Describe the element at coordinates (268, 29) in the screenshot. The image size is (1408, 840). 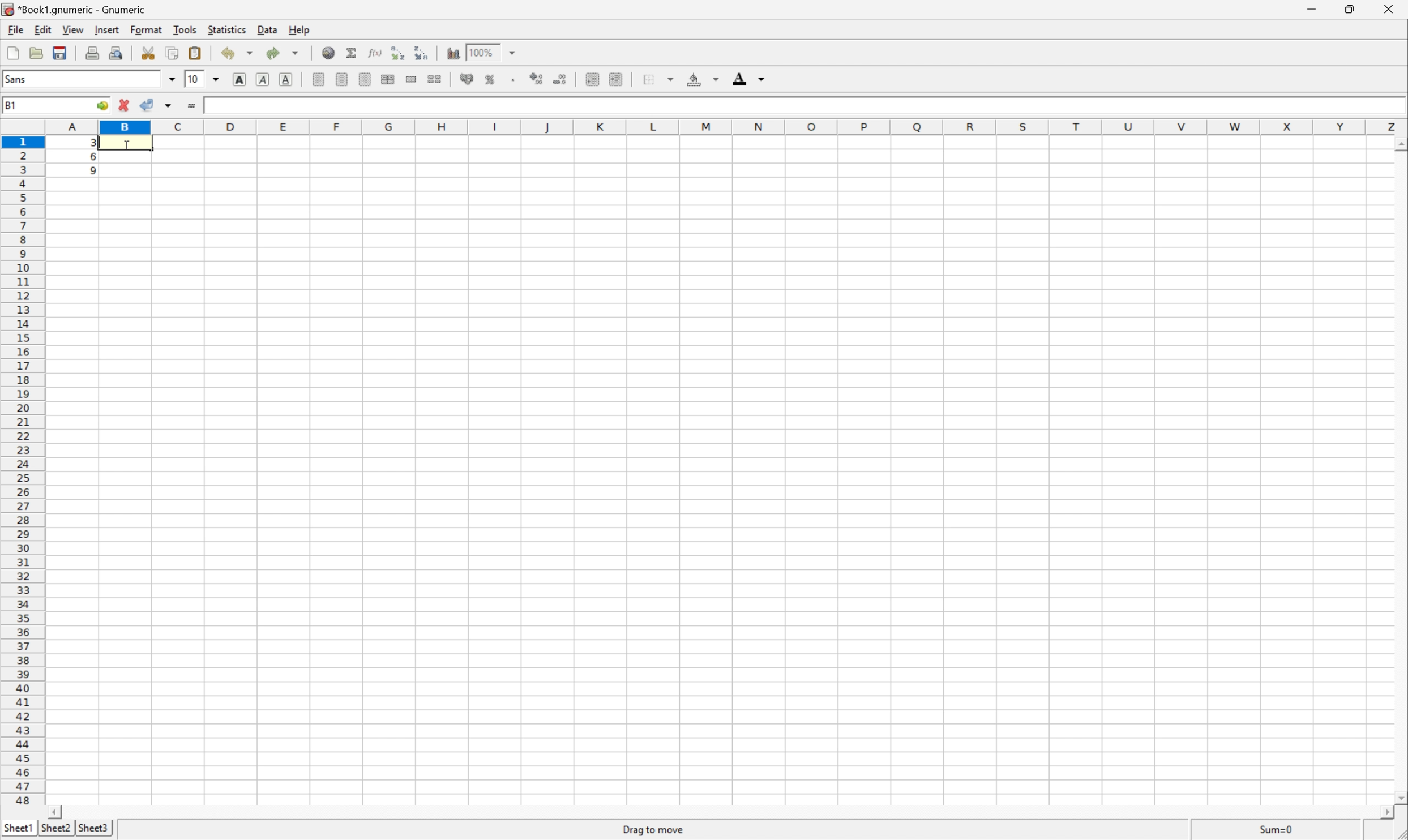
I see `Data` at that location.